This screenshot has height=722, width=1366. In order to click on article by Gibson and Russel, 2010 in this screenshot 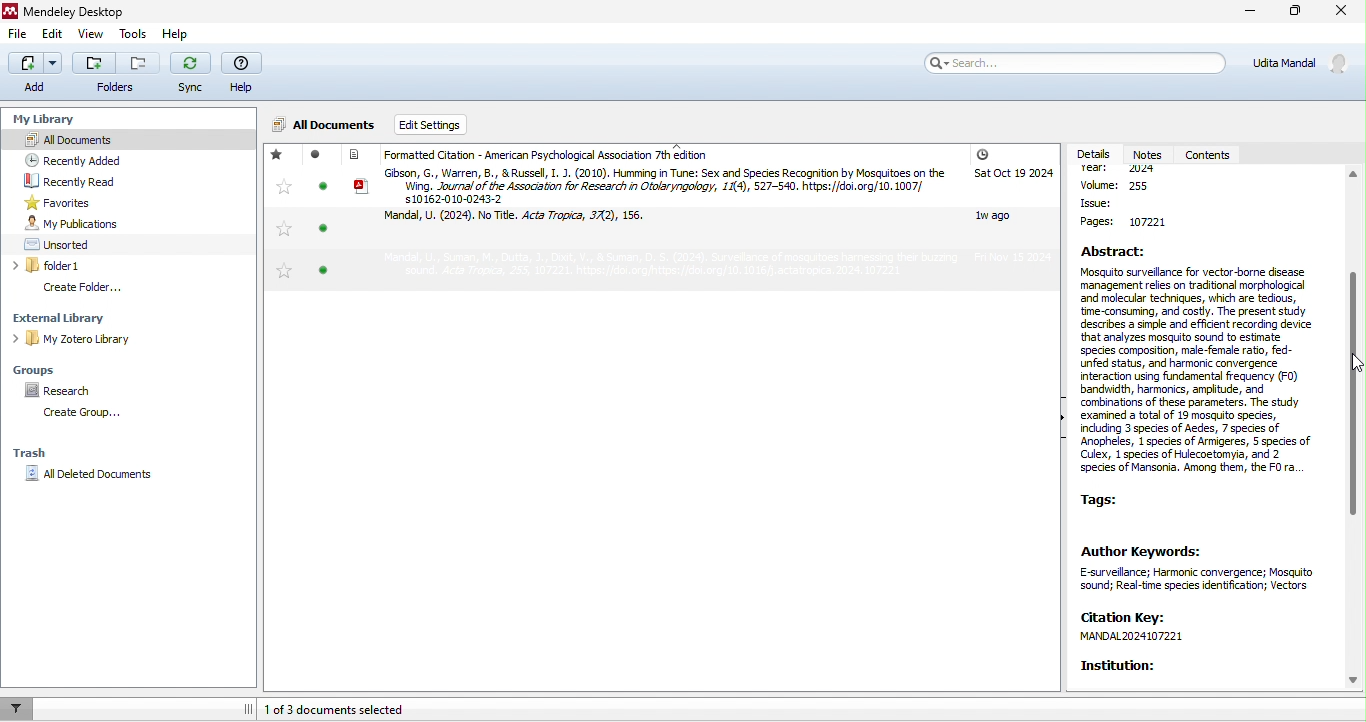, I will do `click(651, 185)`.